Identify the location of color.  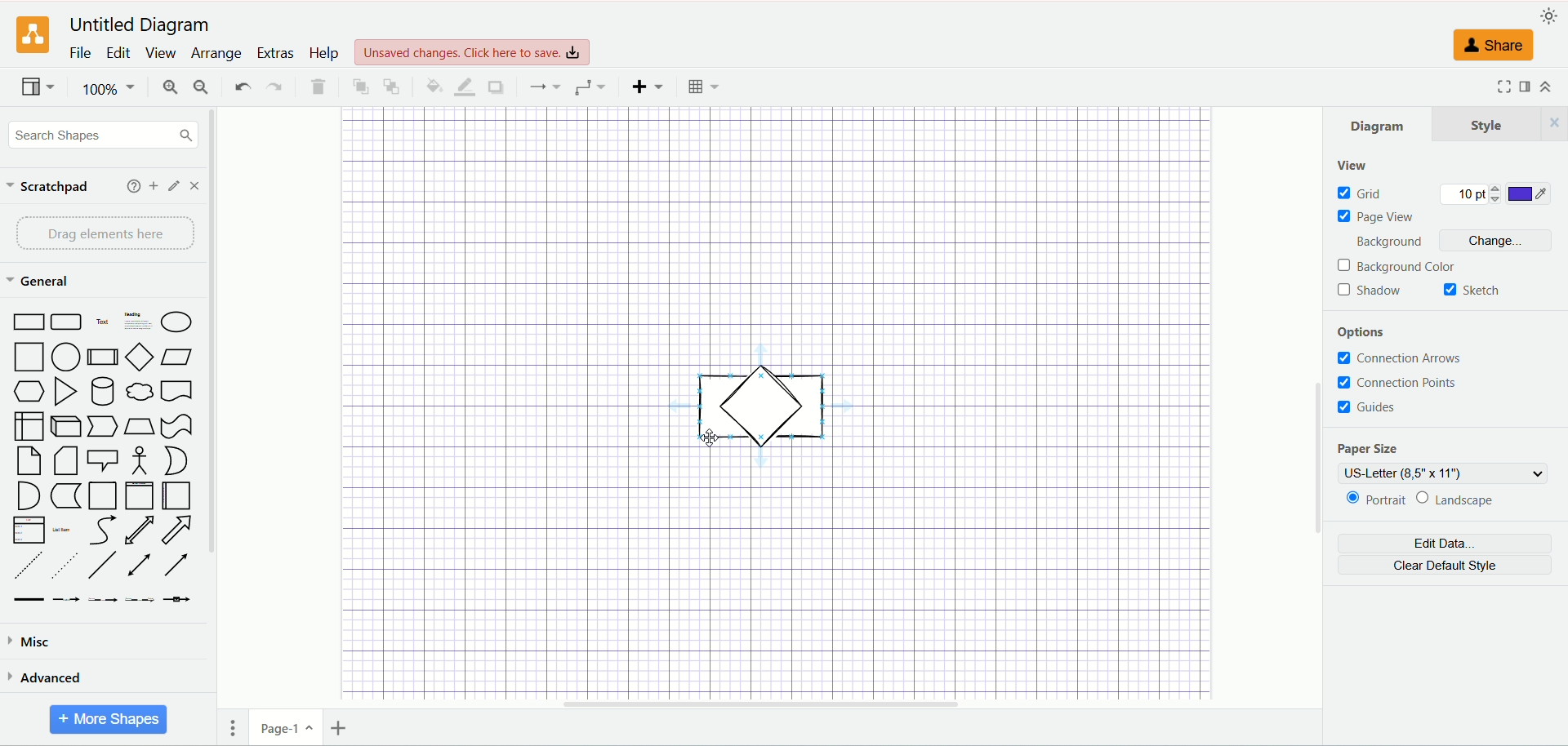
(1526, 197).